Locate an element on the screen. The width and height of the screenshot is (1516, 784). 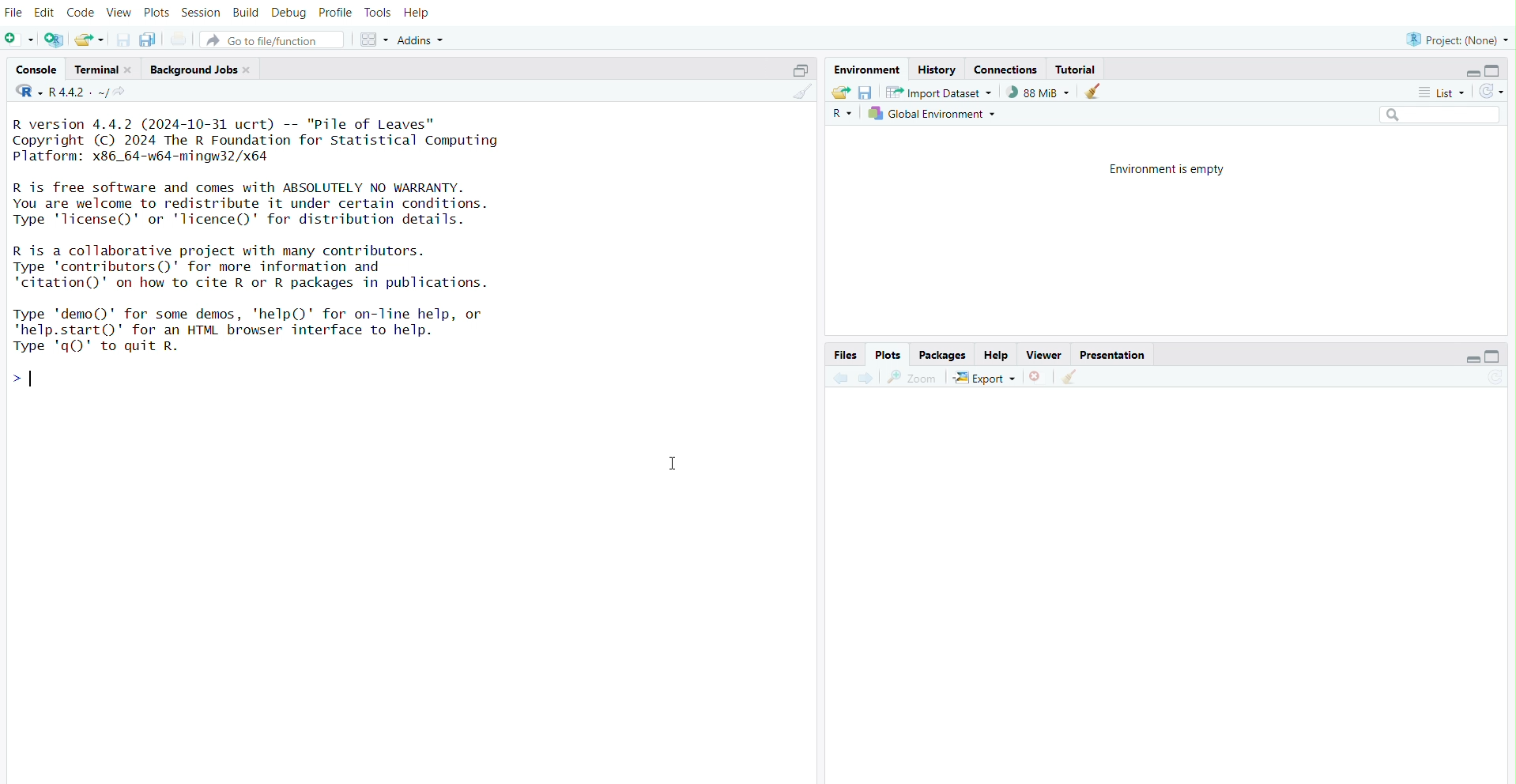
export is located at coordinates (985, 378).